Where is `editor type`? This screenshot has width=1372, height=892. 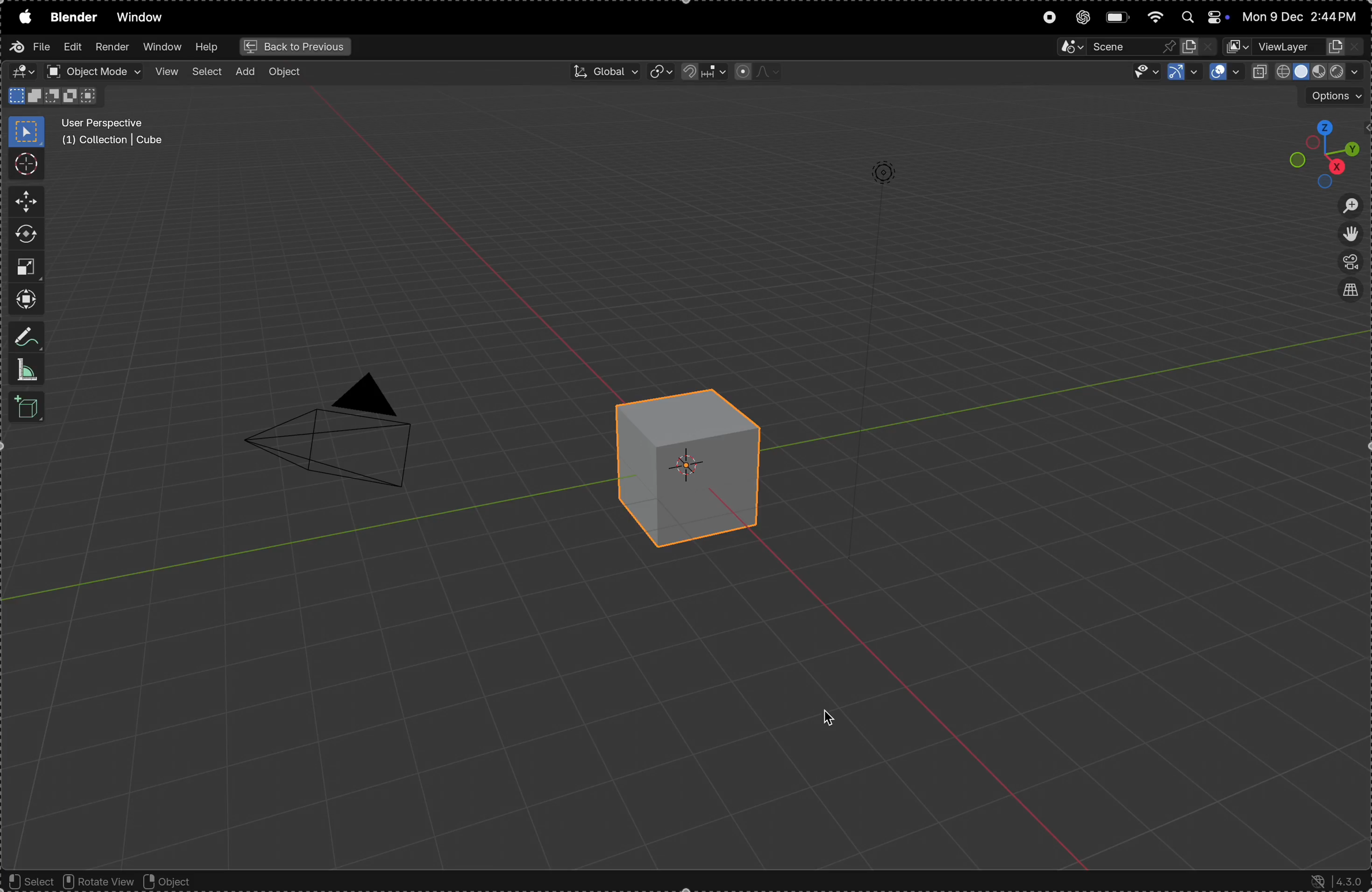 editor type is located at coordinates (22, 73).